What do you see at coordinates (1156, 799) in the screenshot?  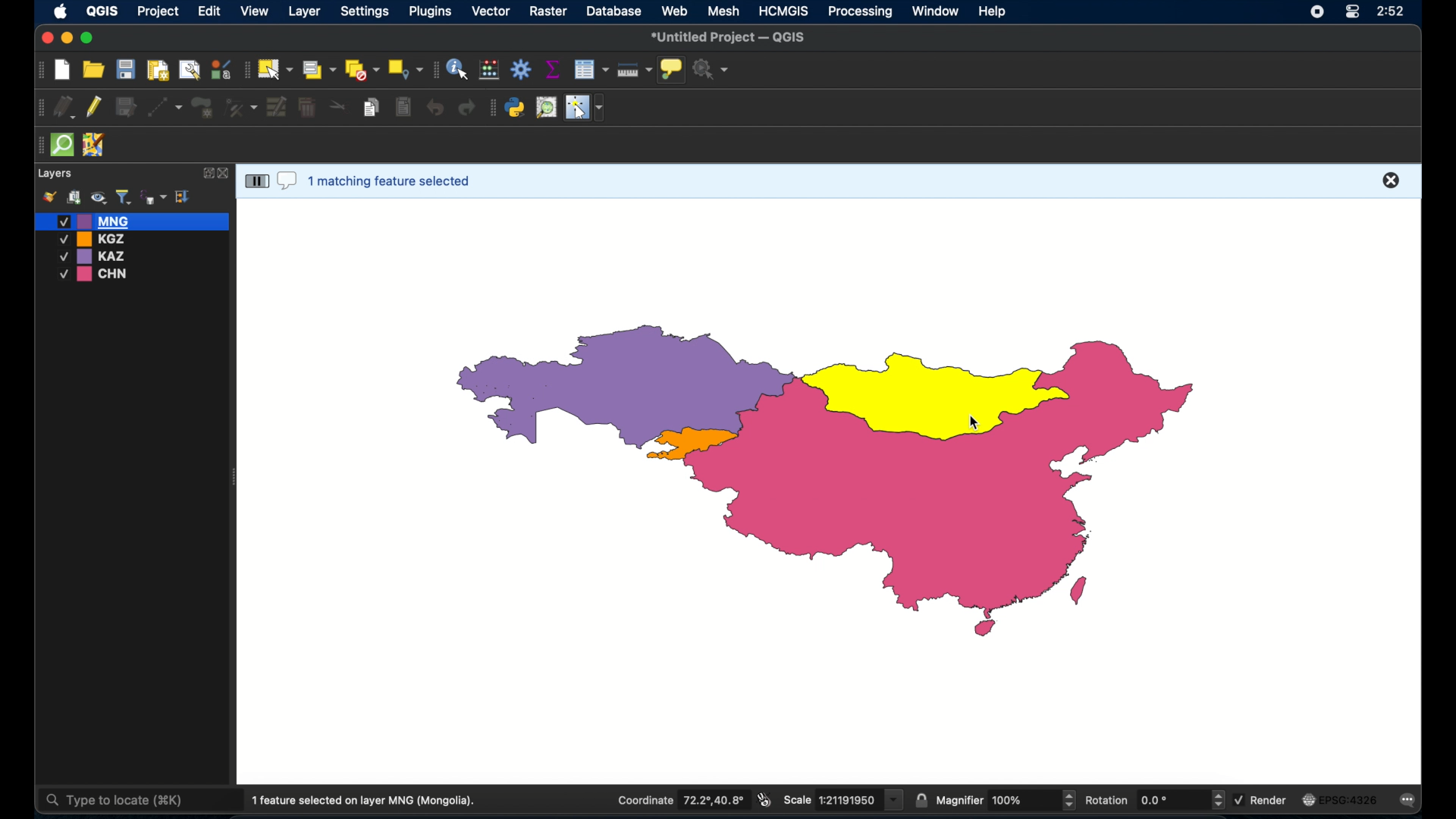 I see `rotation 0.0` at bounding box center [1156, 799].